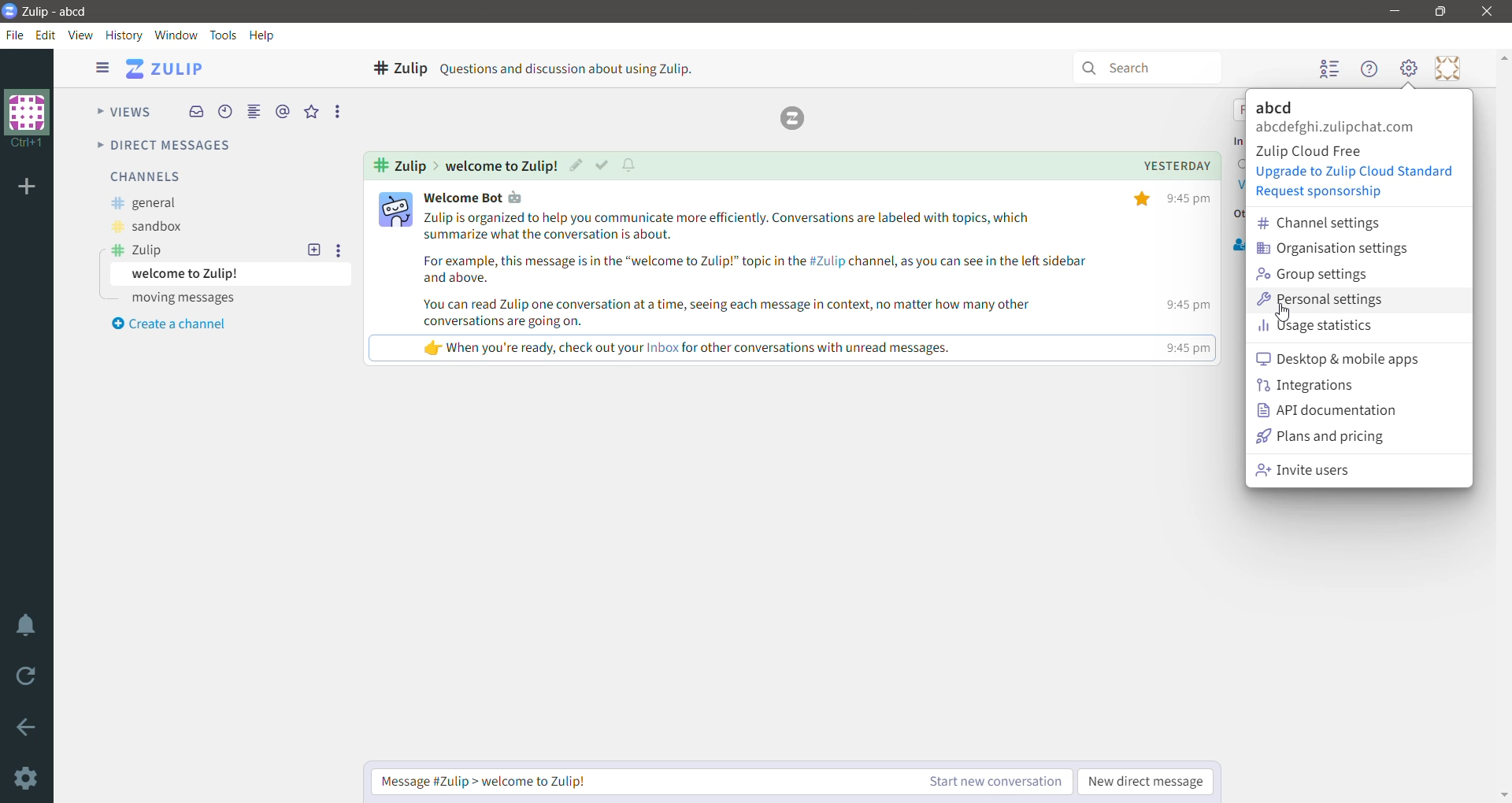  Describe the element at coordinates (339, 250) in the screenshot. I see `More options` at that location.